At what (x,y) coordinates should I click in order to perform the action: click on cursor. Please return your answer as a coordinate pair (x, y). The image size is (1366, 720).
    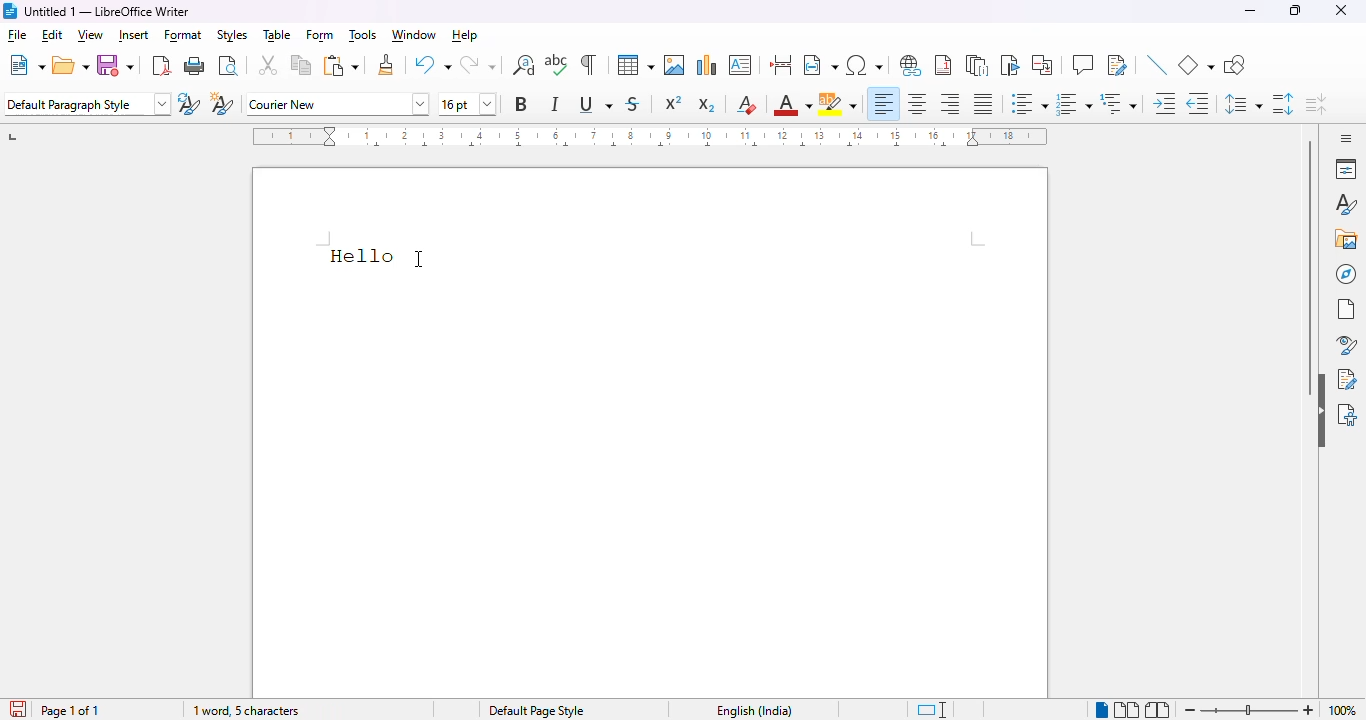
    Looking at the image, I should click on (420, 258).